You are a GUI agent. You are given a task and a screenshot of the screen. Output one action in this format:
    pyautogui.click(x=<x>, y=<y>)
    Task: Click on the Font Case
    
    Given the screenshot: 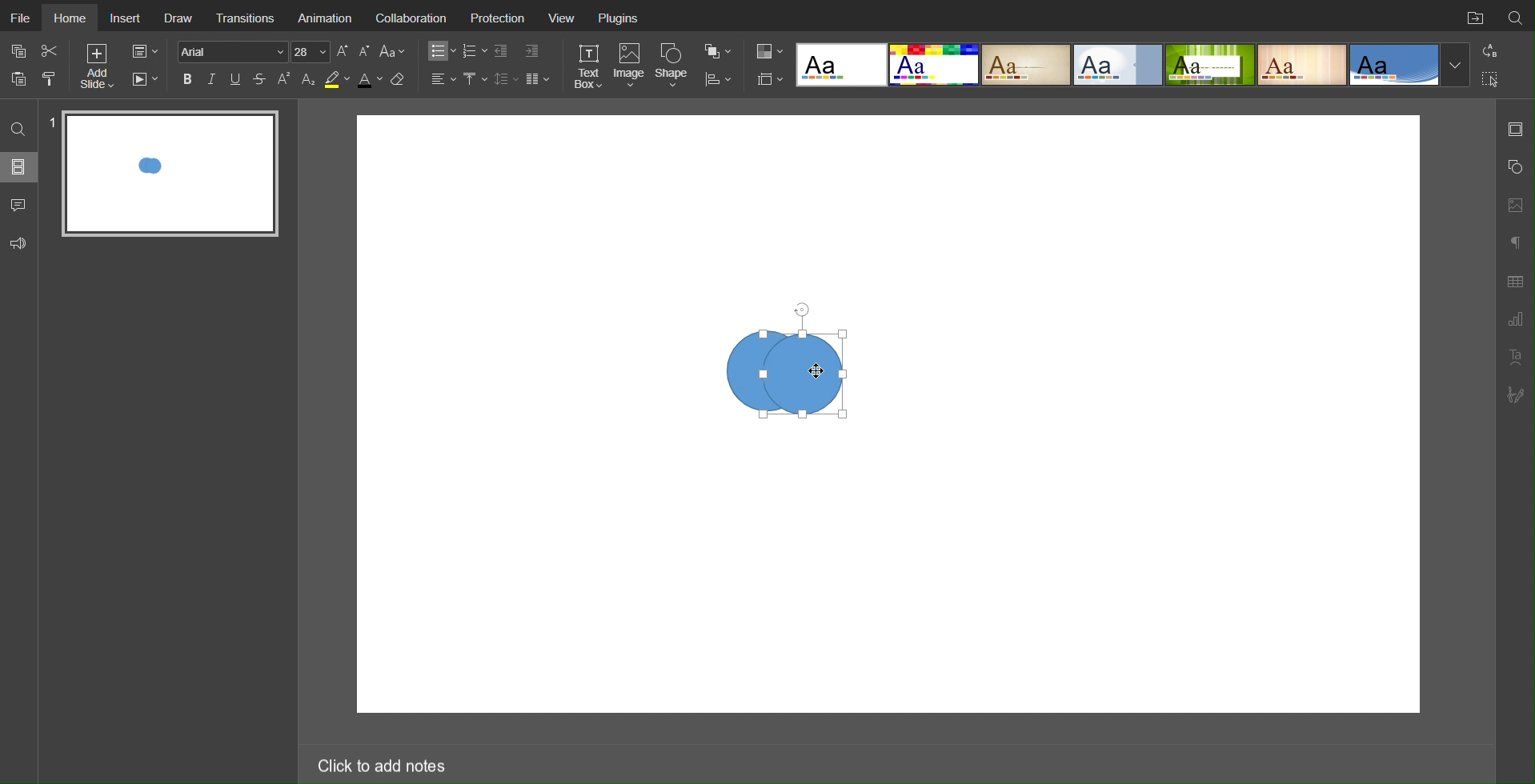 What is the action you would take?
    pyautogui.click(x=394, y=51)
    